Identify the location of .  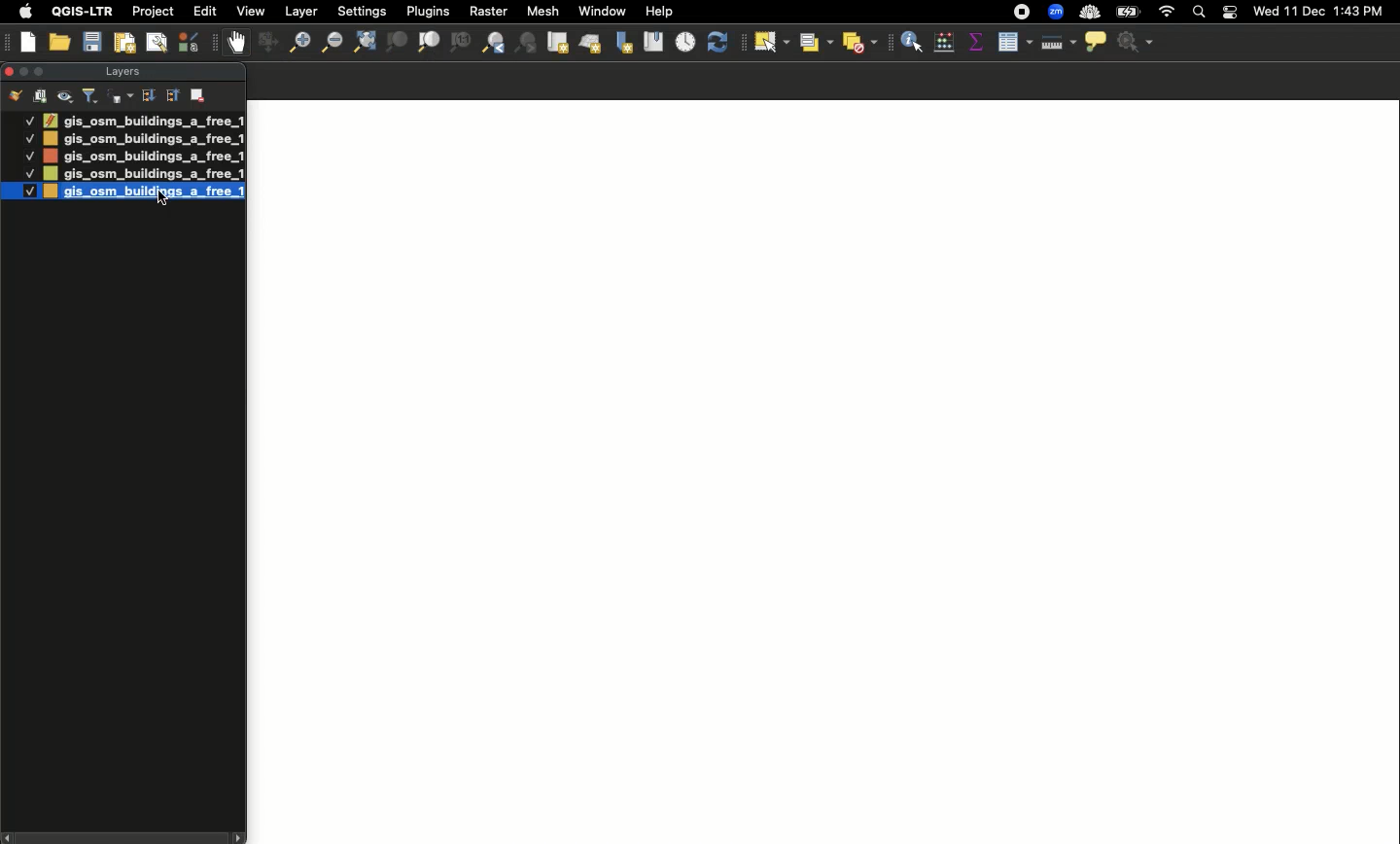
(1056, 12).